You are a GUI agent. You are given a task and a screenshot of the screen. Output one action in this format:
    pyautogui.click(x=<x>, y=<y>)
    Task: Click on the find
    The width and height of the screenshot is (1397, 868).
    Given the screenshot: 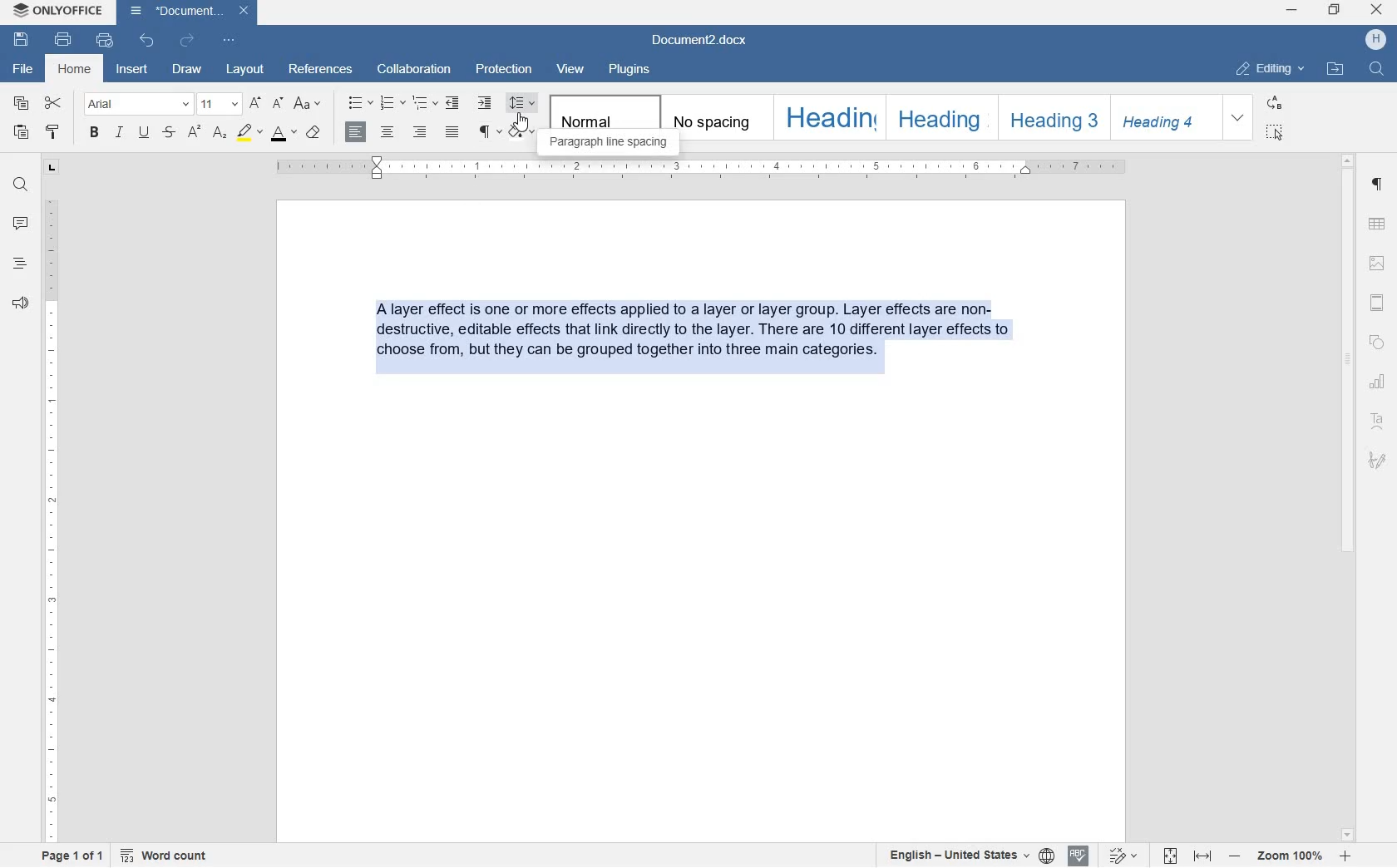 What is the action you would take?
    pyautogui.click(x=20, y=184)
    